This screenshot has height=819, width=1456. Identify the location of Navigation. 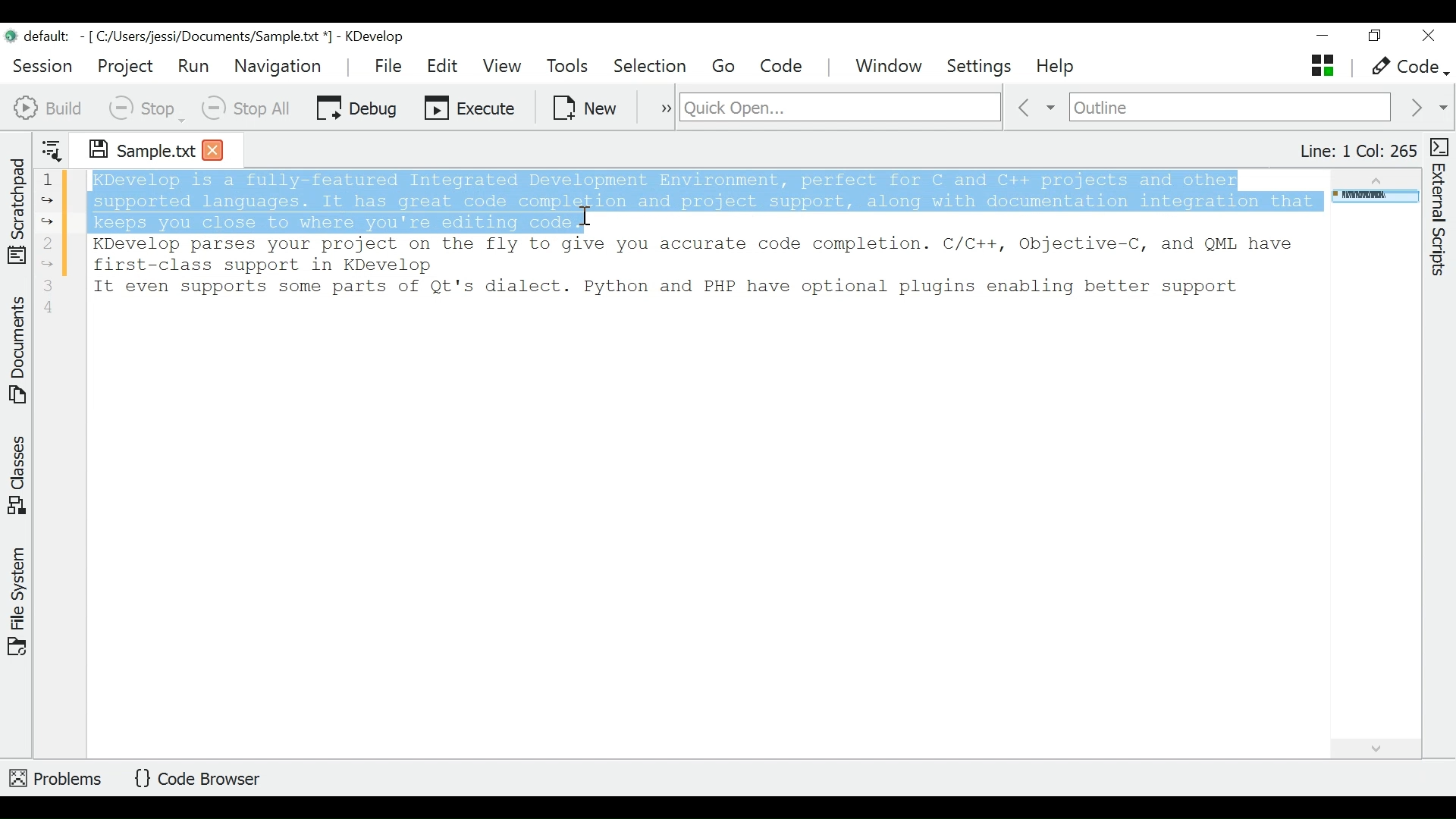
(281, 66).